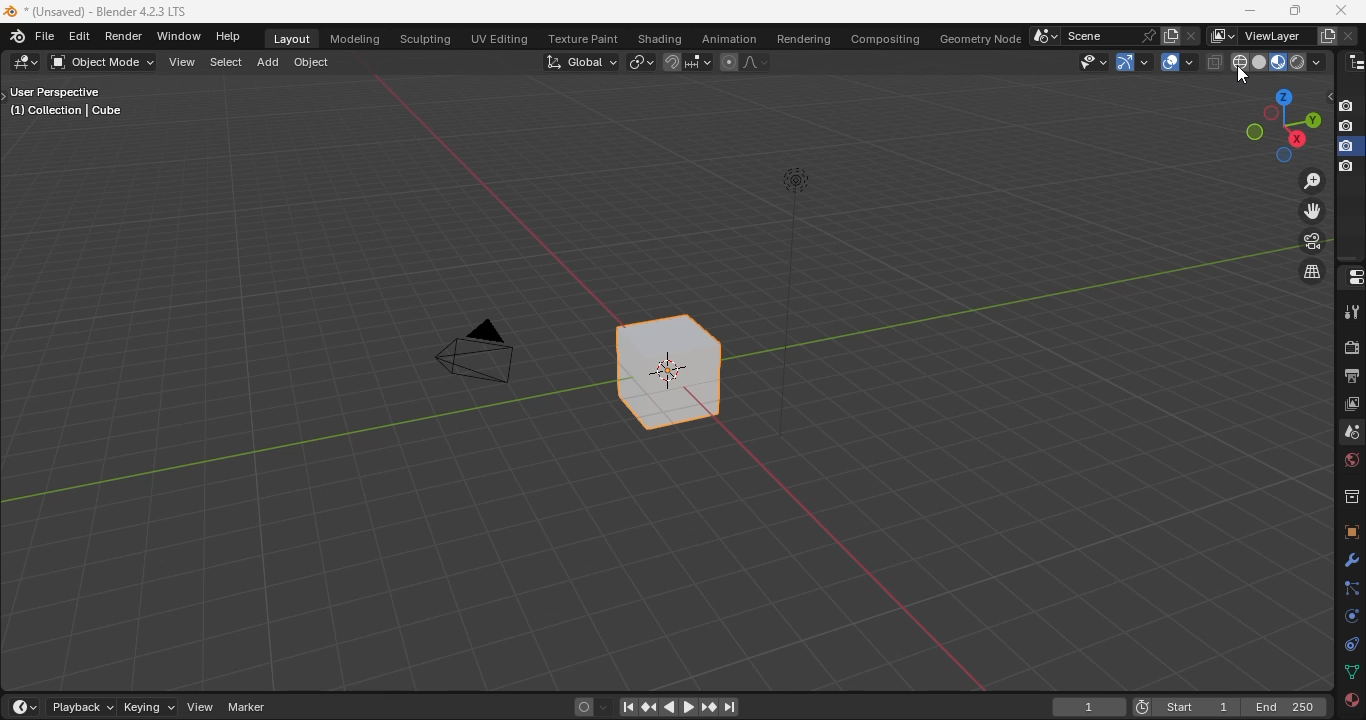 The image size is (1366, 720). What do you see at coordinates (1351, 377) in the screenshot?
I see `output` at bounding box center [1351, 377].